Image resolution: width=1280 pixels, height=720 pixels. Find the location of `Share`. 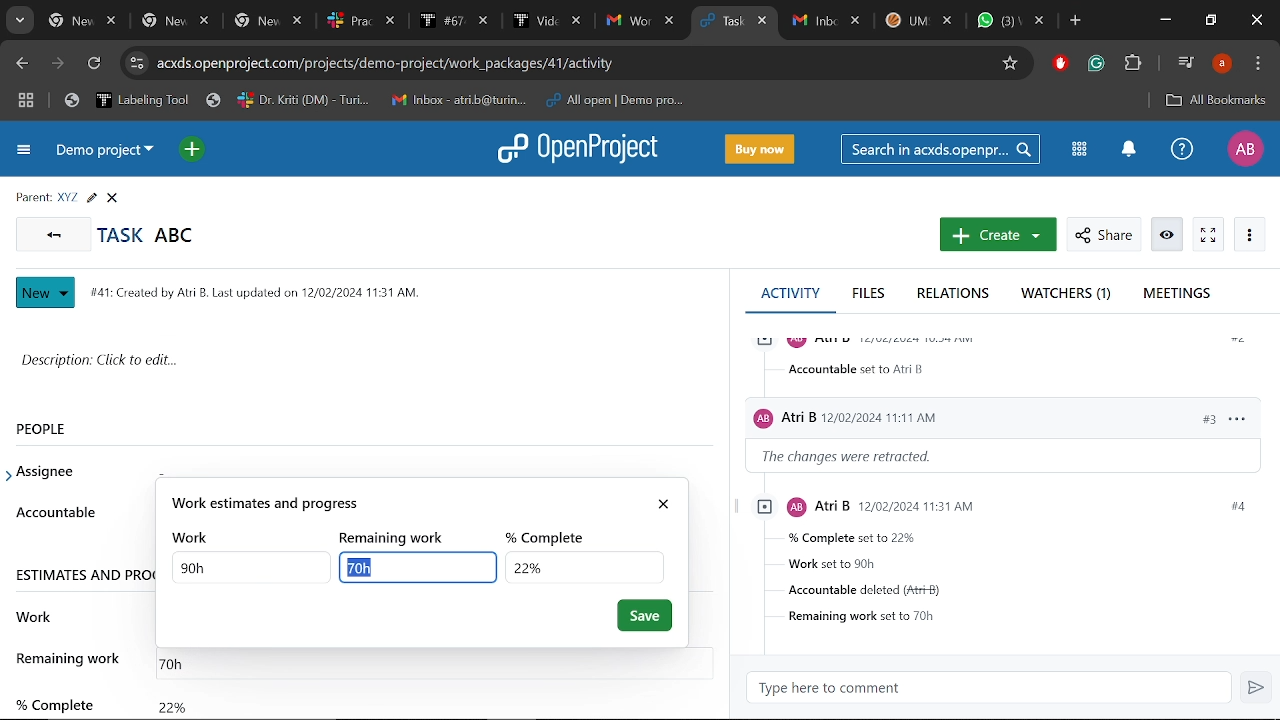

Share is located at coordinates (1102, 235).